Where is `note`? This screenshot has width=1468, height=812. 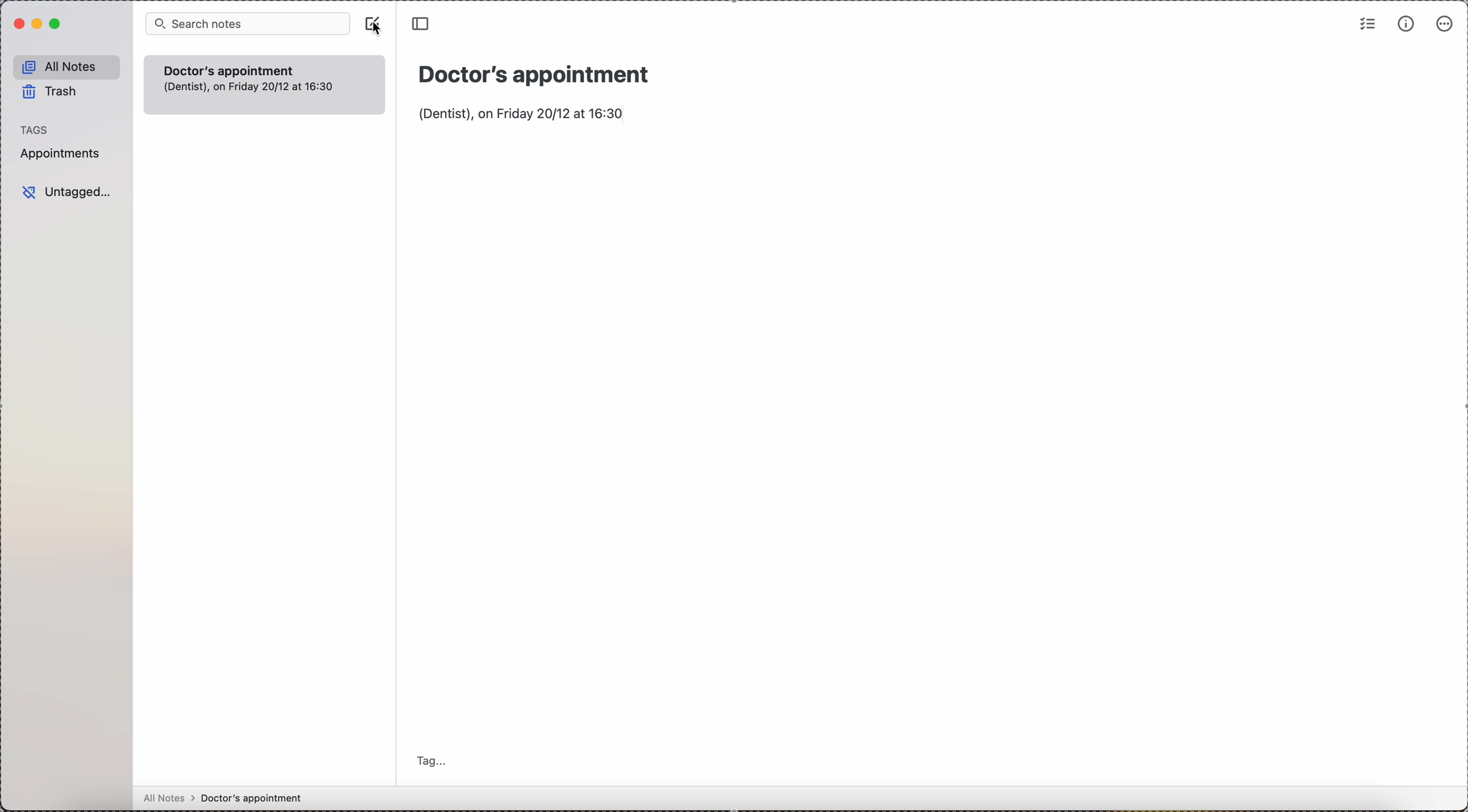 note is located at coordinates (262, 84).